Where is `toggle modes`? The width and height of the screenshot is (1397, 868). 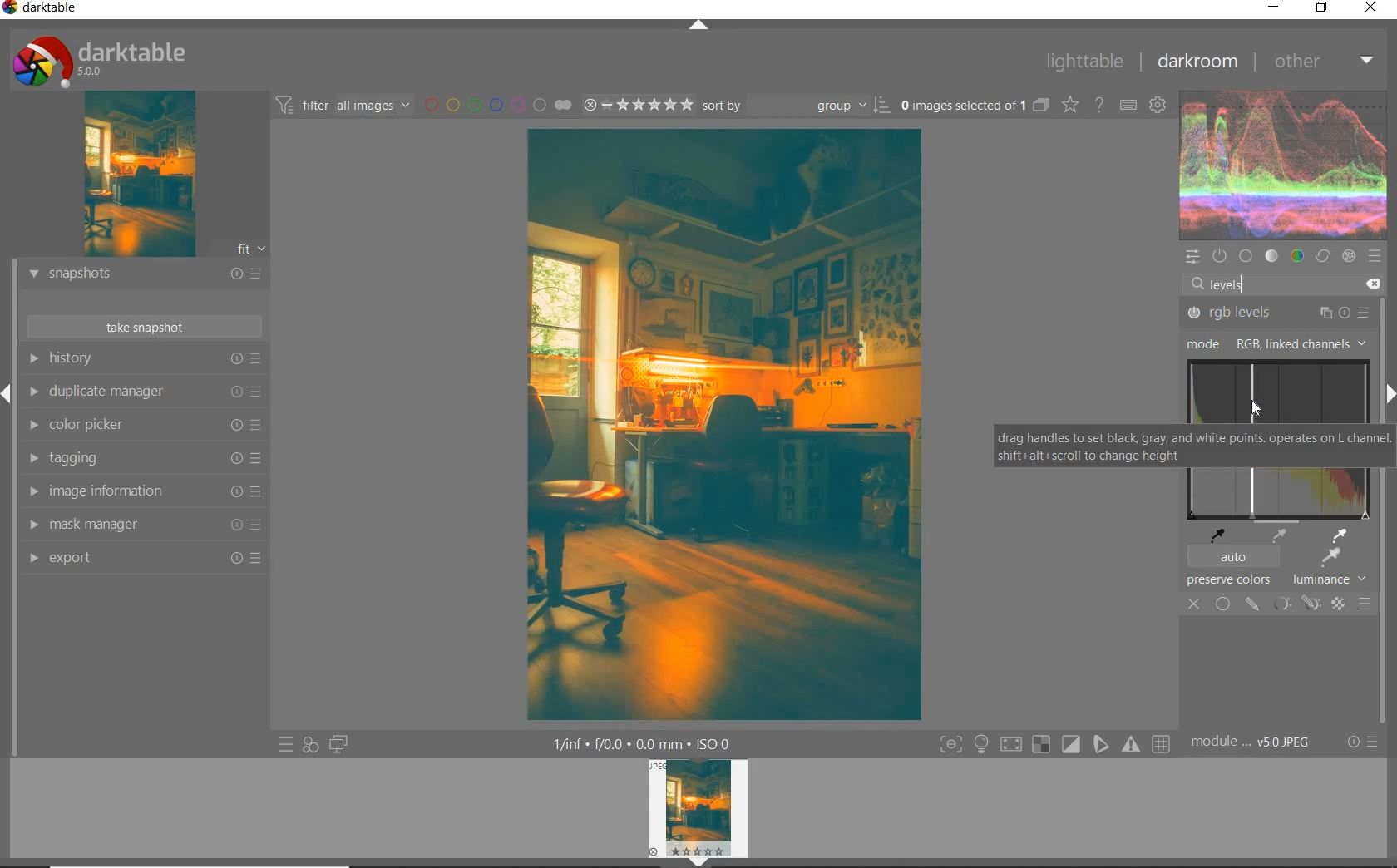 toggle modes is located at coordinates (1050, 743).